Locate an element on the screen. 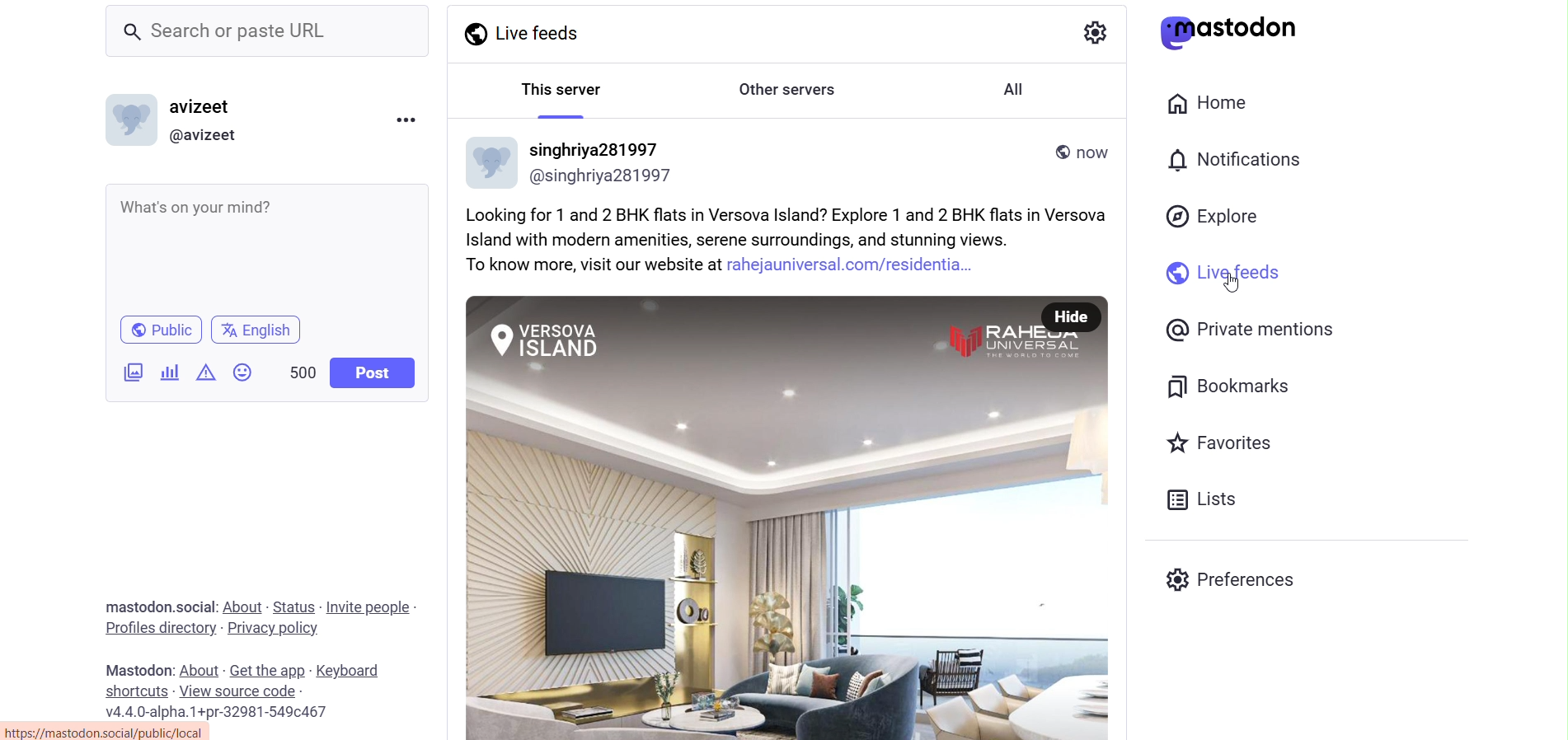 This screenshot has width=1568, height=740. mastodon is located at coordinates (135, 669).